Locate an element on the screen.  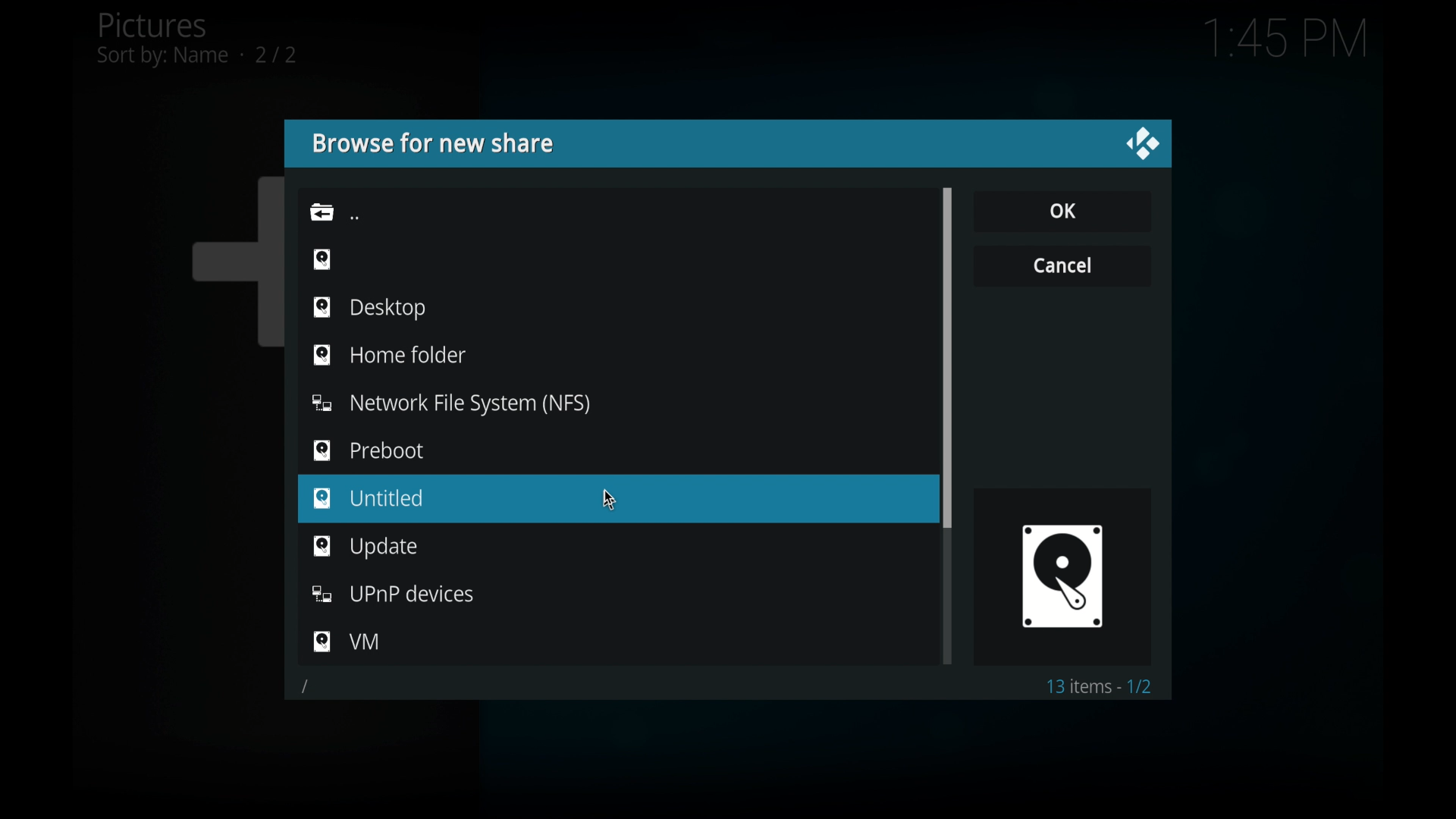
slash icon is located at coordinates (303, 687).